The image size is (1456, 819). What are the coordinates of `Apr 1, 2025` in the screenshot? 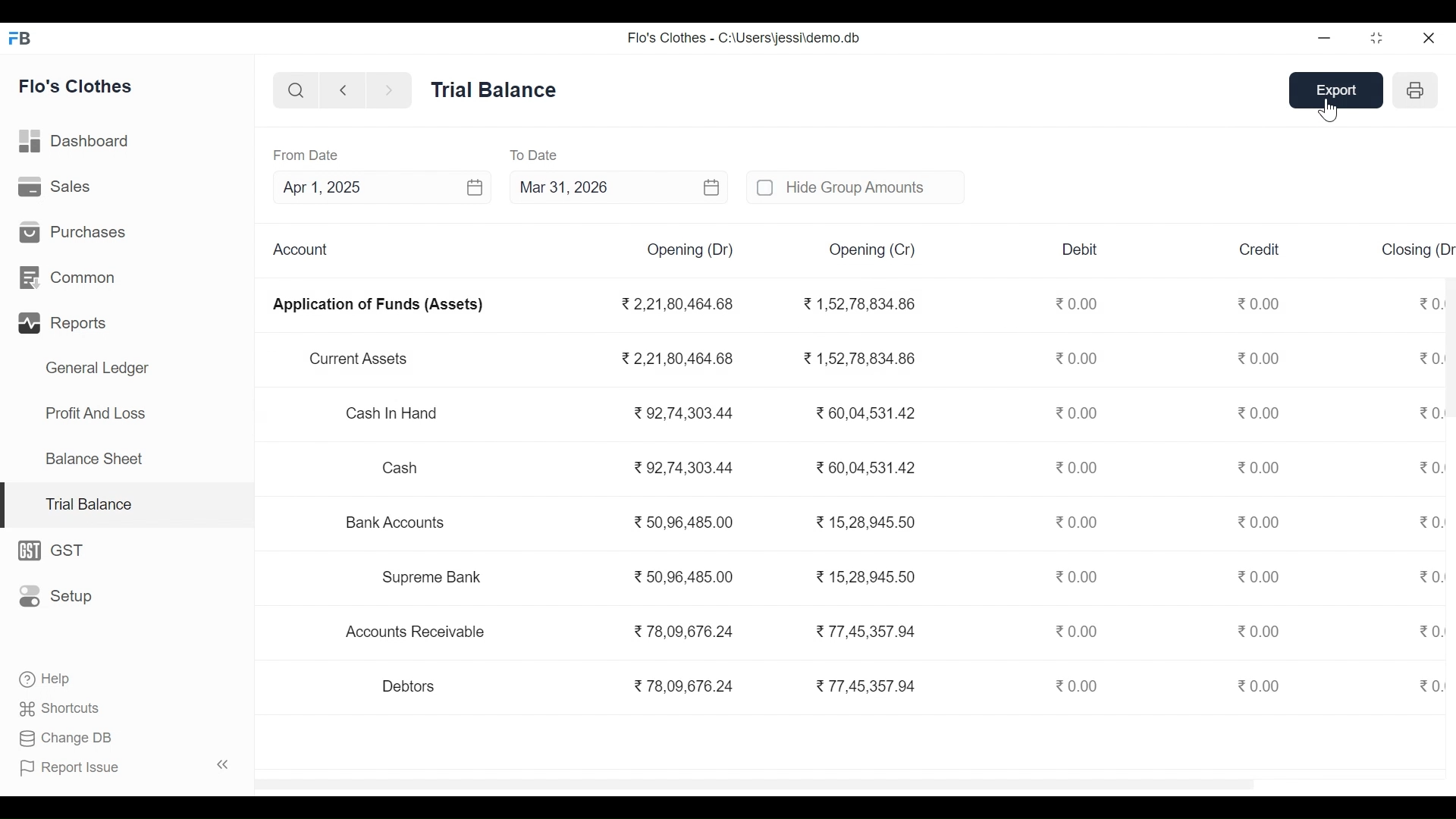 It's located at (381, 187).